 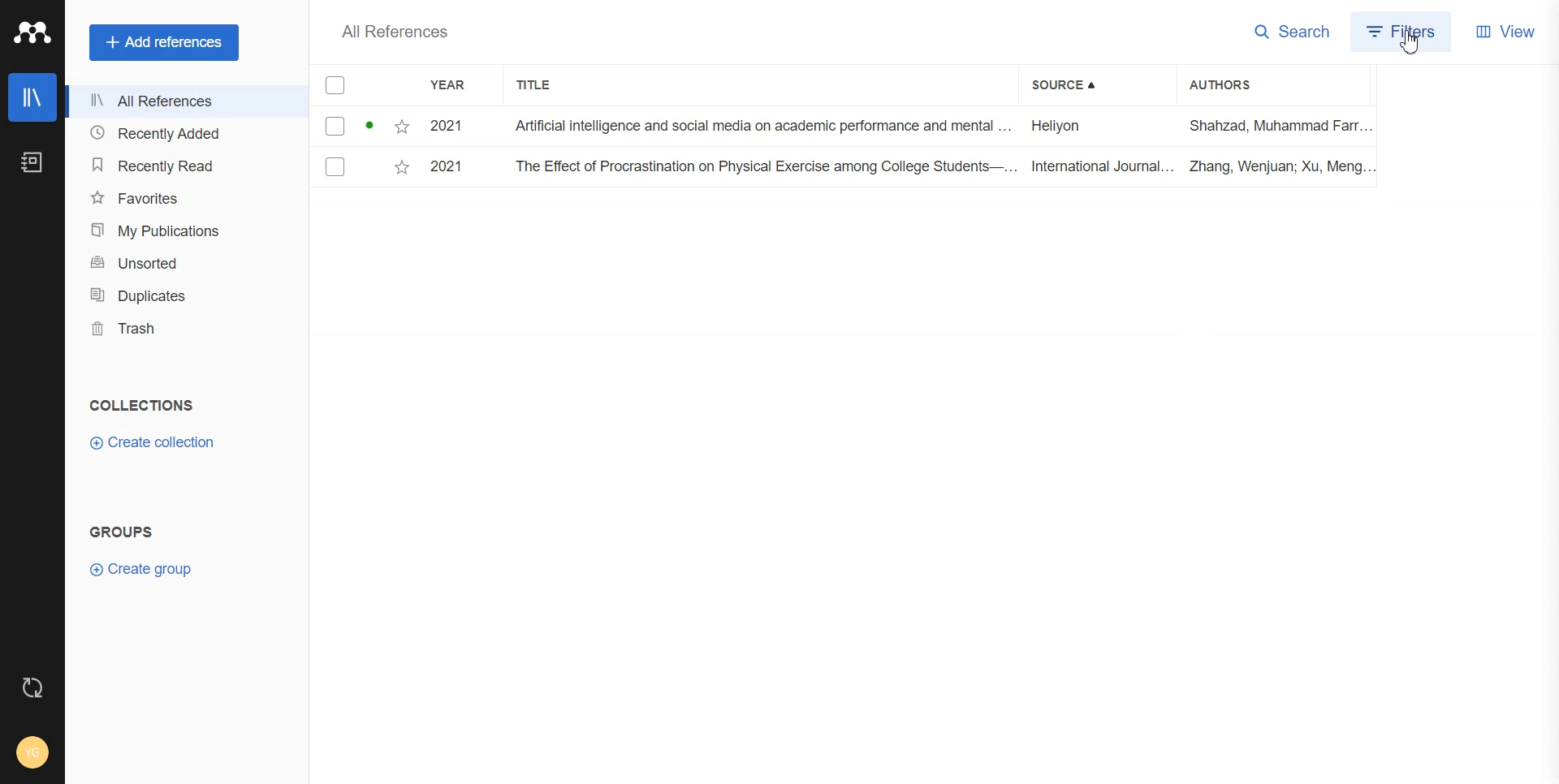 I want to click on Auto sync, so click(x=32, y=687).